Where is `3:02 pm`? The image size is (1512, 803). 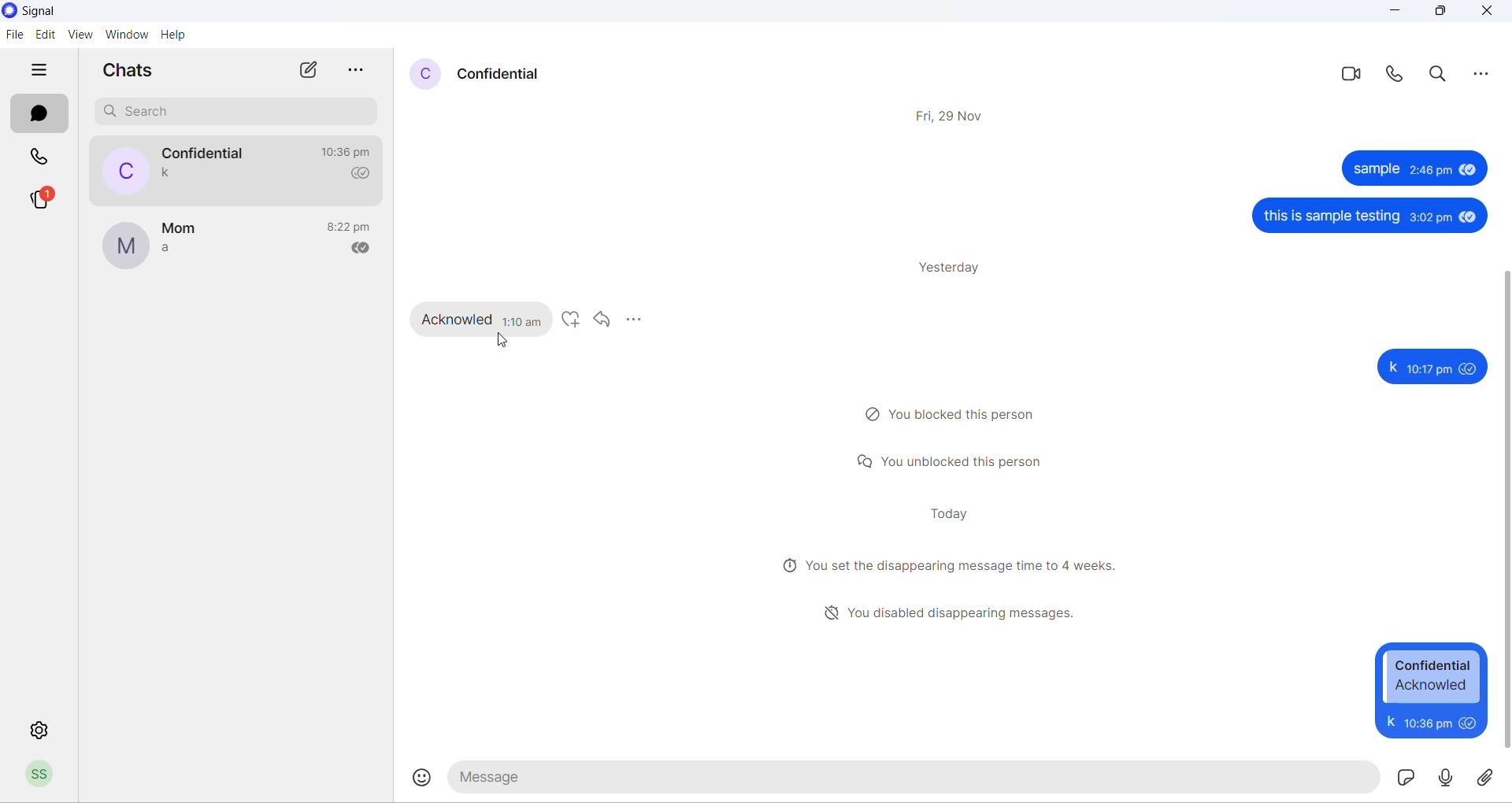 3:02 pm is located at coordinates (1430, 219).